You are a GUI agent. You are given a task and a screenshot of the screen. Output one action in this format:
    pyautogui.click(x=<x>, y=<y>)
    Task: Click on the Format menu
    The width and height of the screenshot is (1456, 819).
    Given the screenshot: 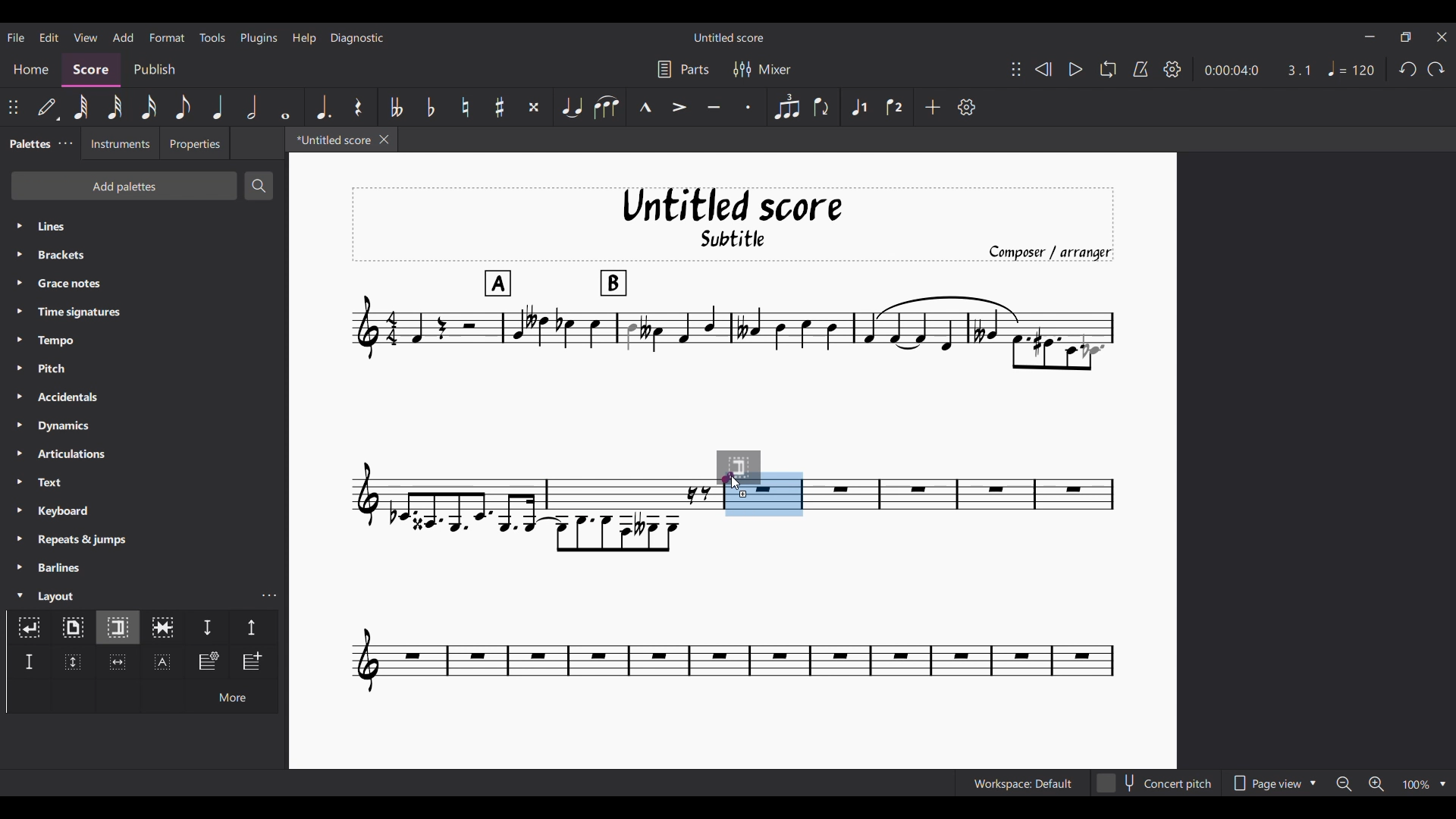 What is the action you would take?
    pyautogui.click(x=168, y=37)
    